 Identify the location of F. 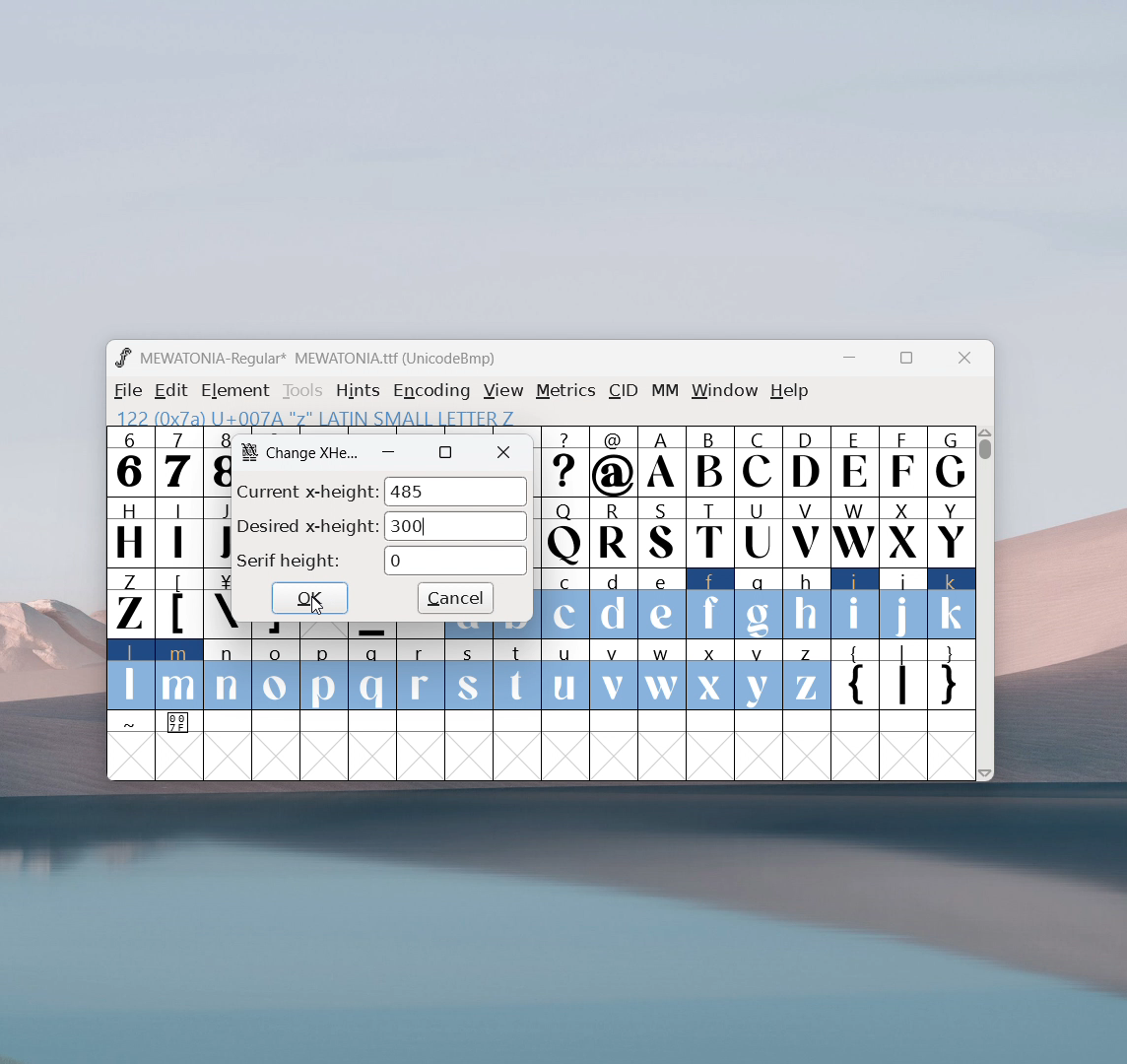
(901, 460).